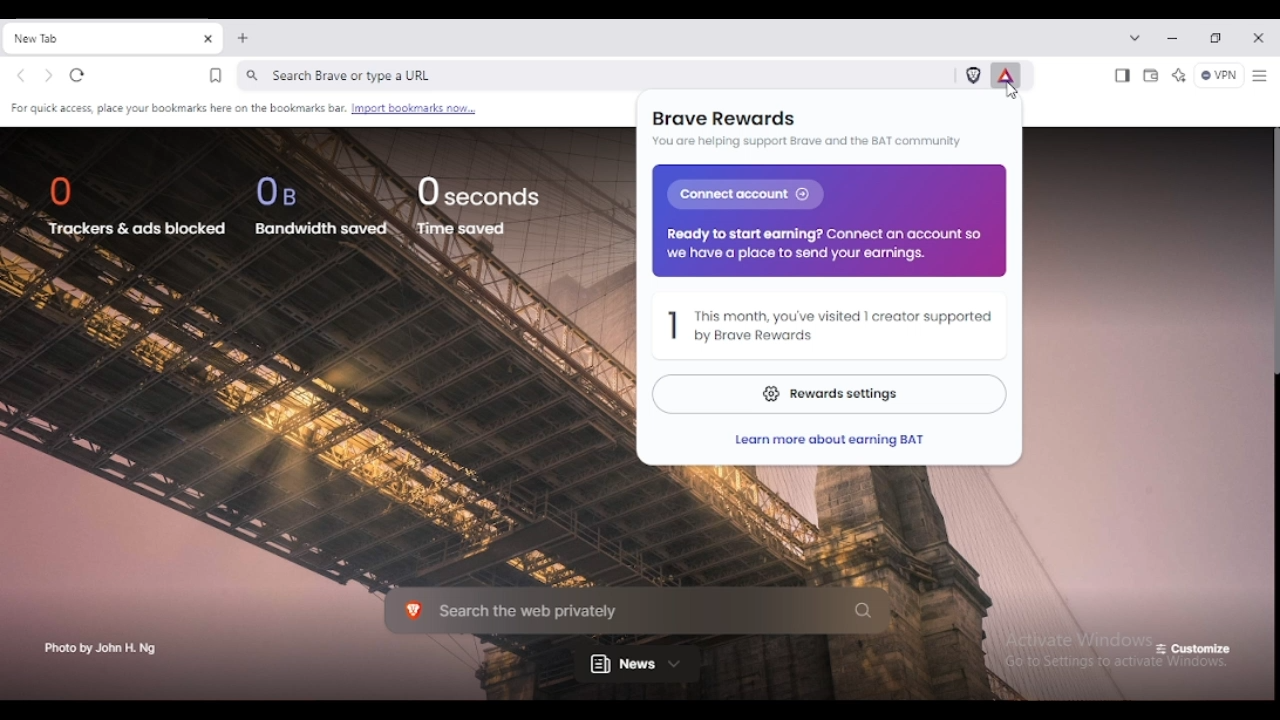 This screenshot has width=1280, height=720. Describe the element at coordinates (1135, 37) in the screenshot. I see `search tabs` at that location.